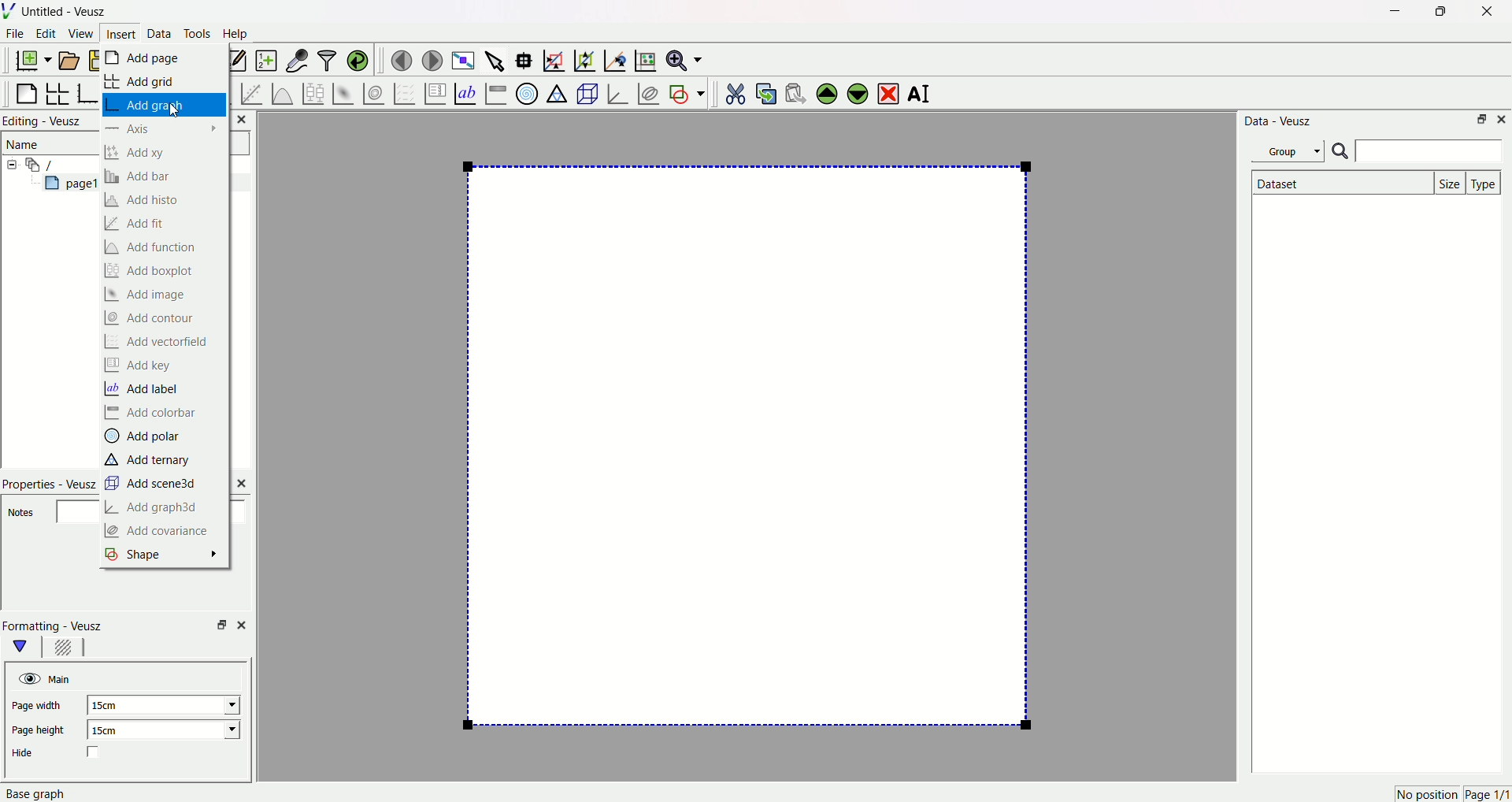  What do you see at coordinates (250, 92) in the screenshot?
I see `fit a function` at bounding box center [250, 92].